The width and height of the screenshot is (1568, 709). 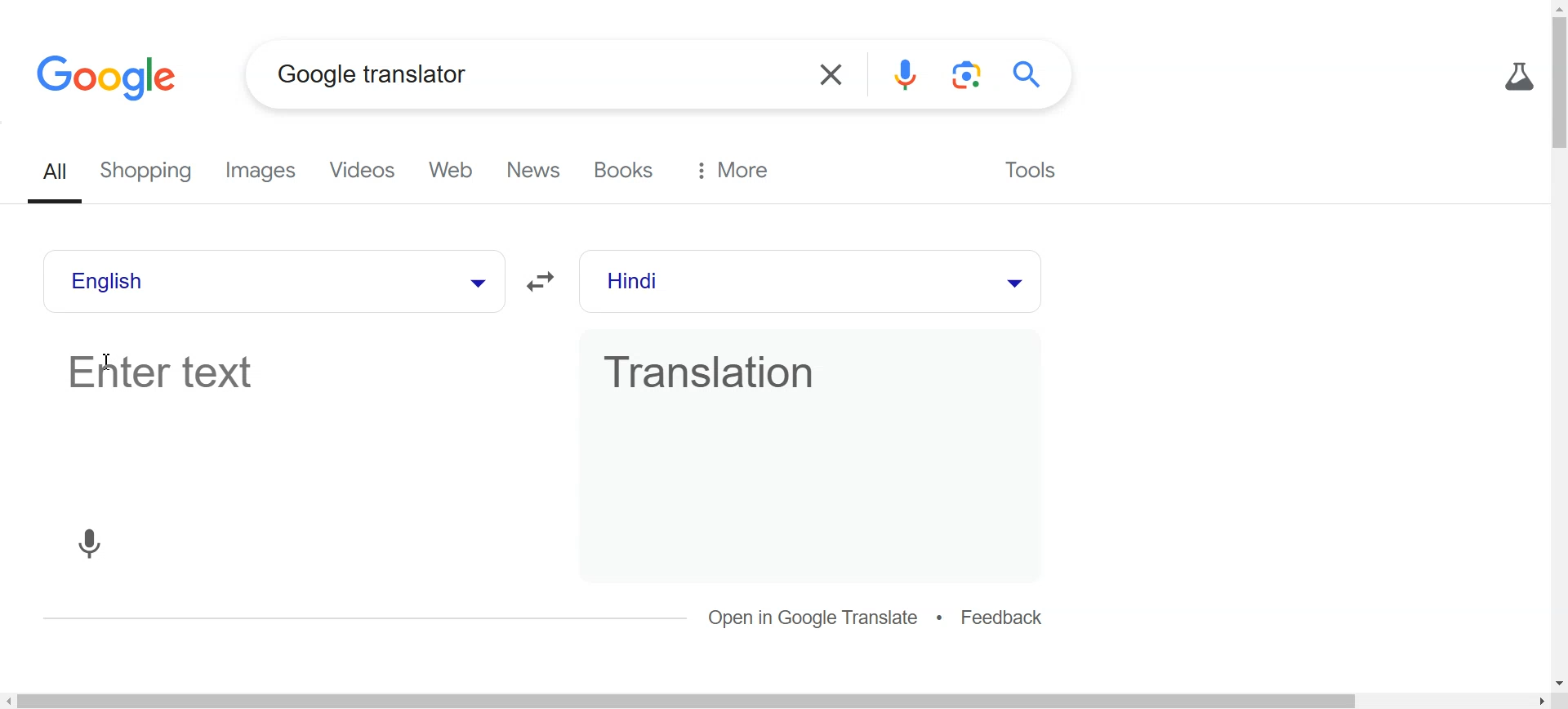 What do you see at coordinates (109, 76) in the screenshot?
I see `Logo home page` at bounding box center [109, 76].